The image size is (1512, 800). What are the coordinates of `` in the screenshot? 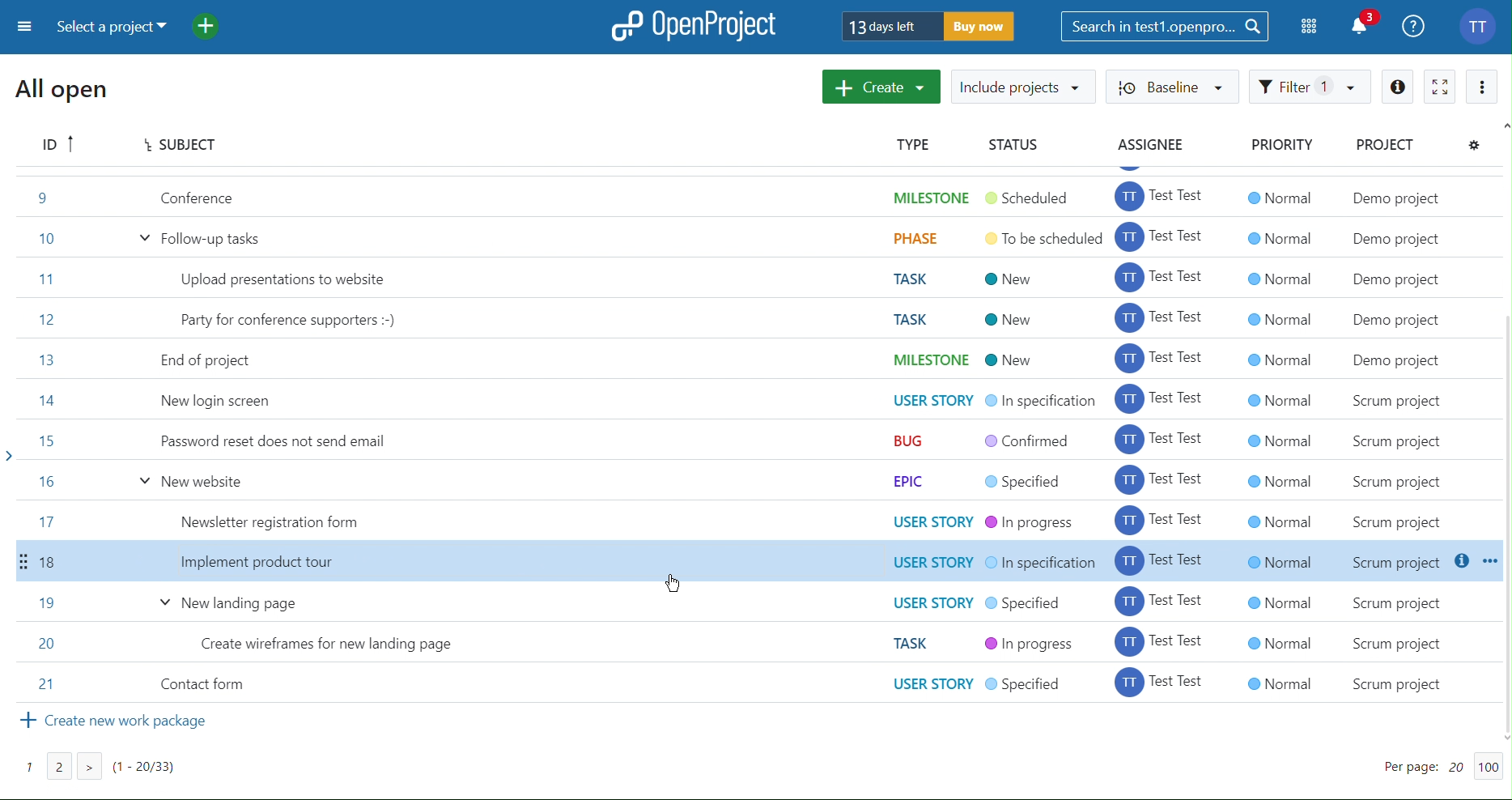 It's located at (1277, 436).